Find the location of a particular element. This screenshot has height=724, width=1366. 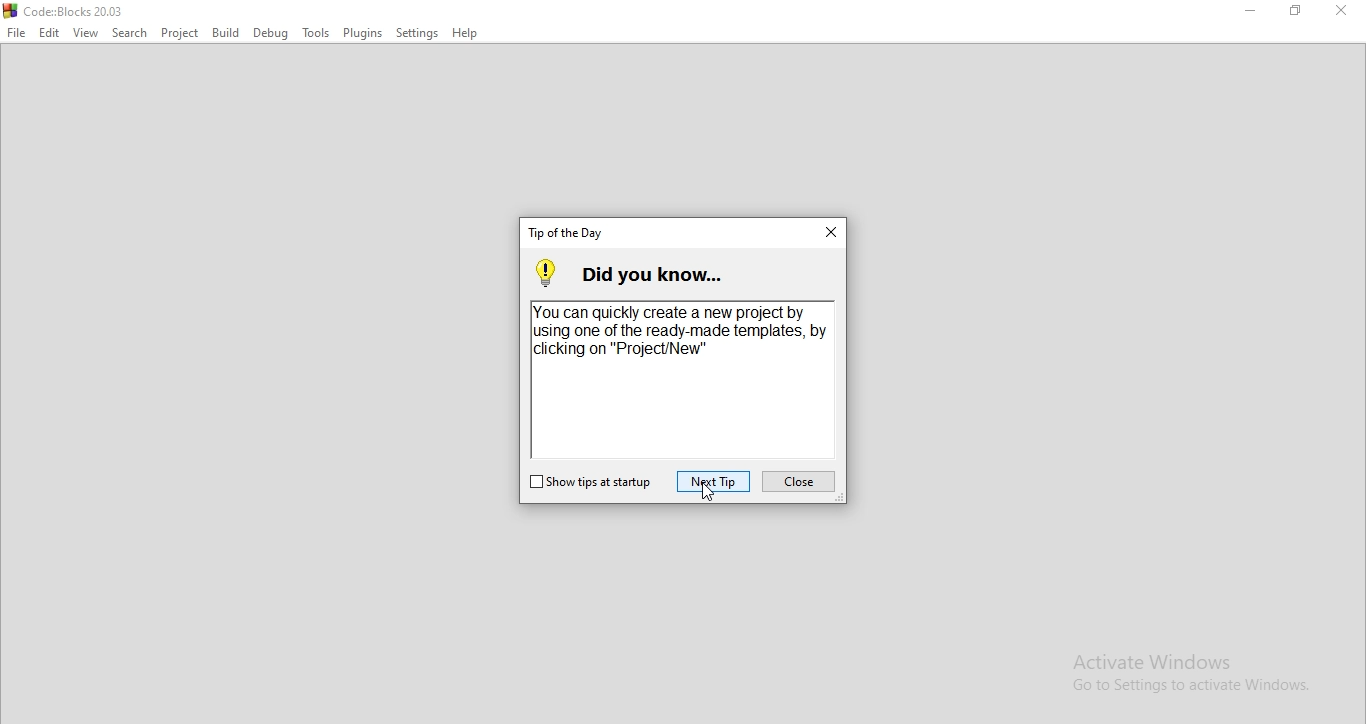

did you know is located at coordinates (676, 273).